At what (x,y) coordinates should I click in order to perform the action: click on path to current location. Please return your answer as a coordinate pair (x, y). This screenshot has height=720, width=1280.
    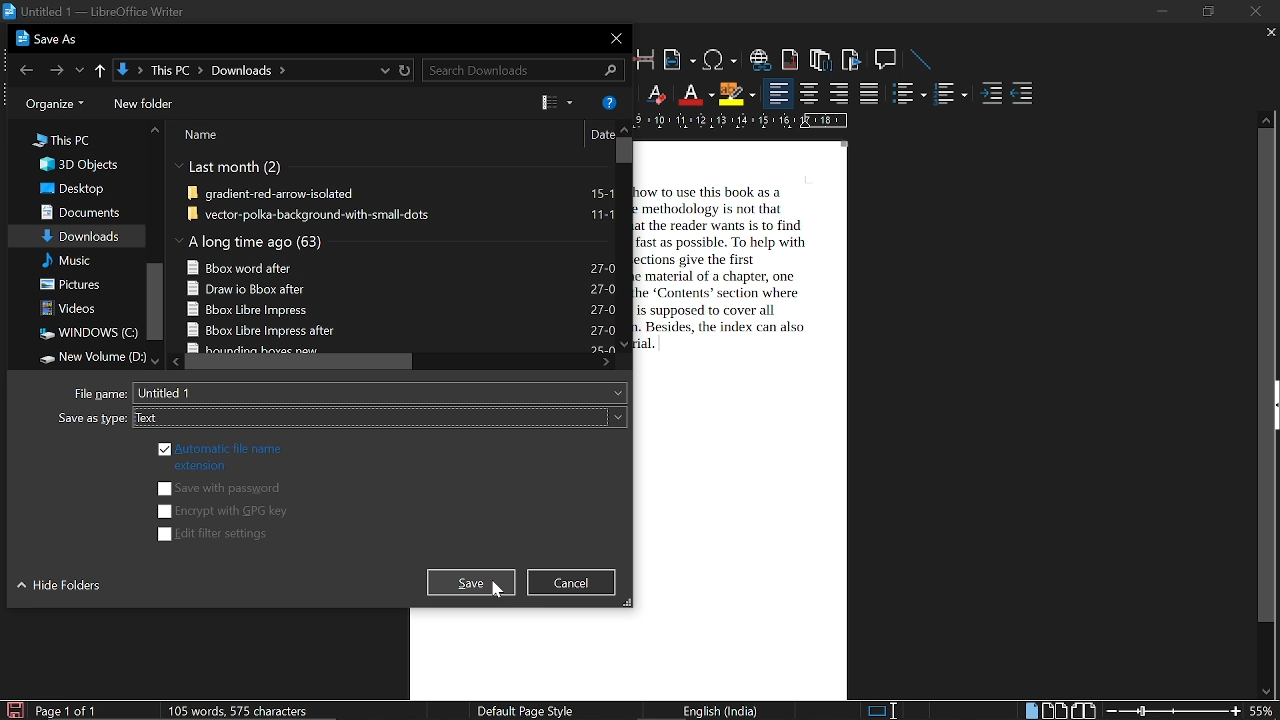
    Looking at the image, I should click on (242, 70).